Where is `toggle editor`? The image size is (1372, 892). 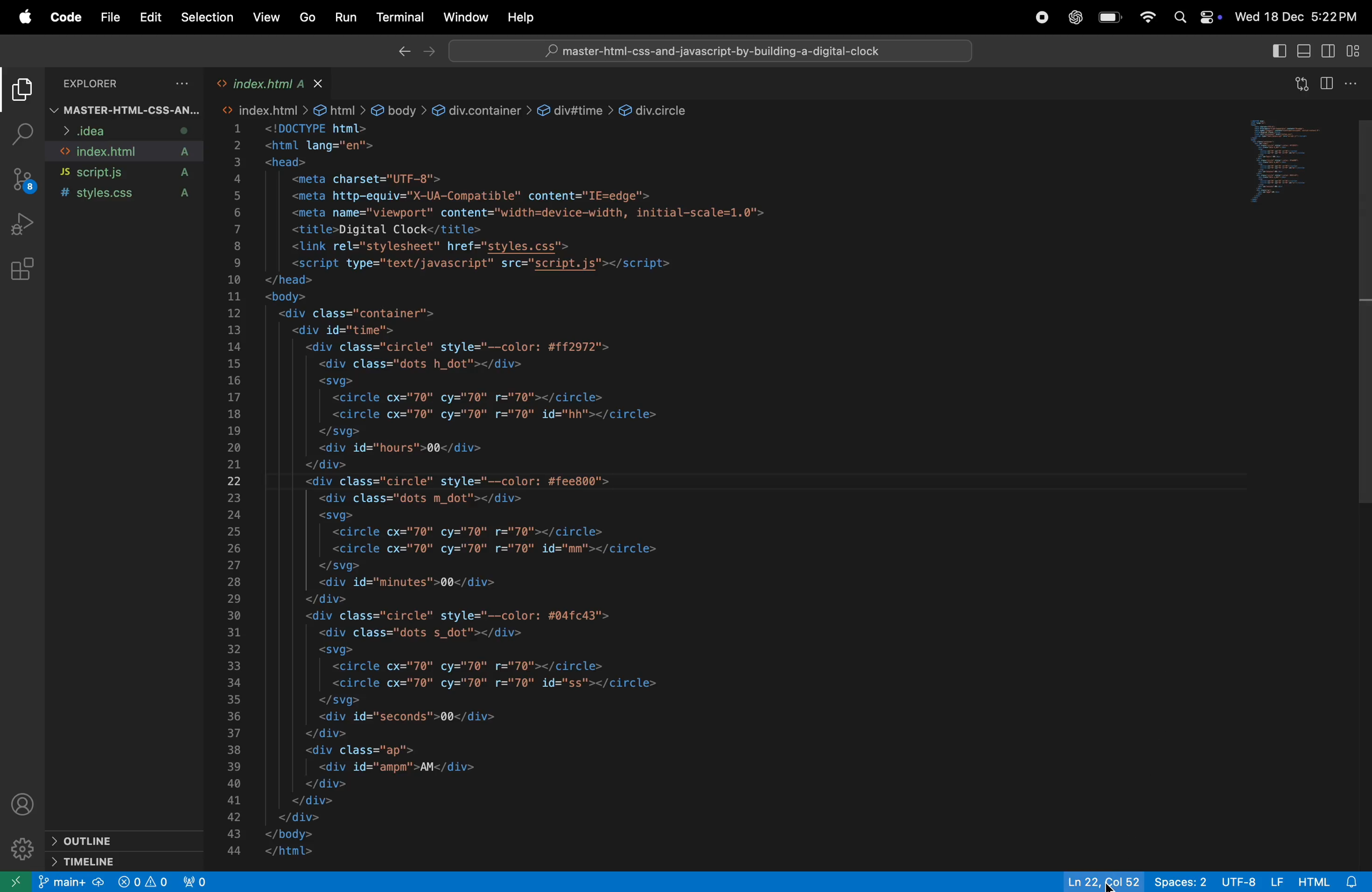
toggle editor is located at coordinates (1325, 52).